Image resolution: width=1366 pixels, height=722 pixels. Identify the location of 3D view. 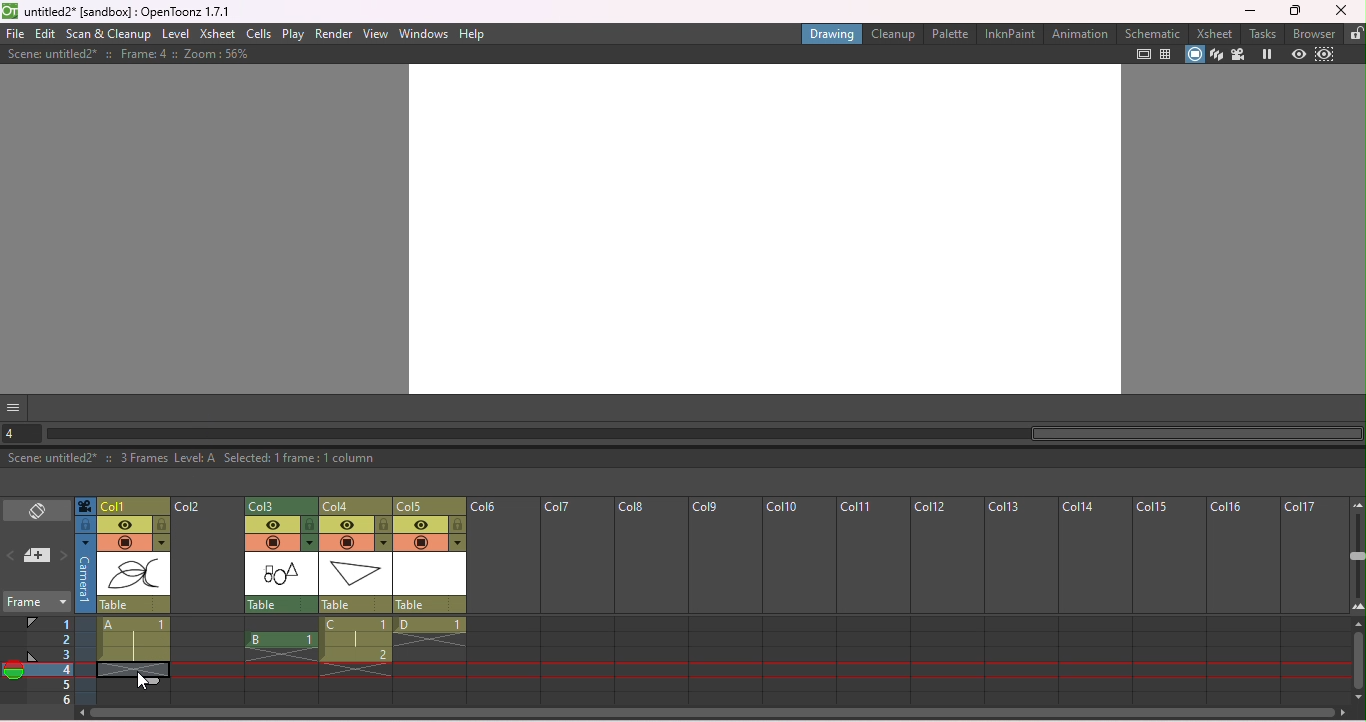
(1217, 55).